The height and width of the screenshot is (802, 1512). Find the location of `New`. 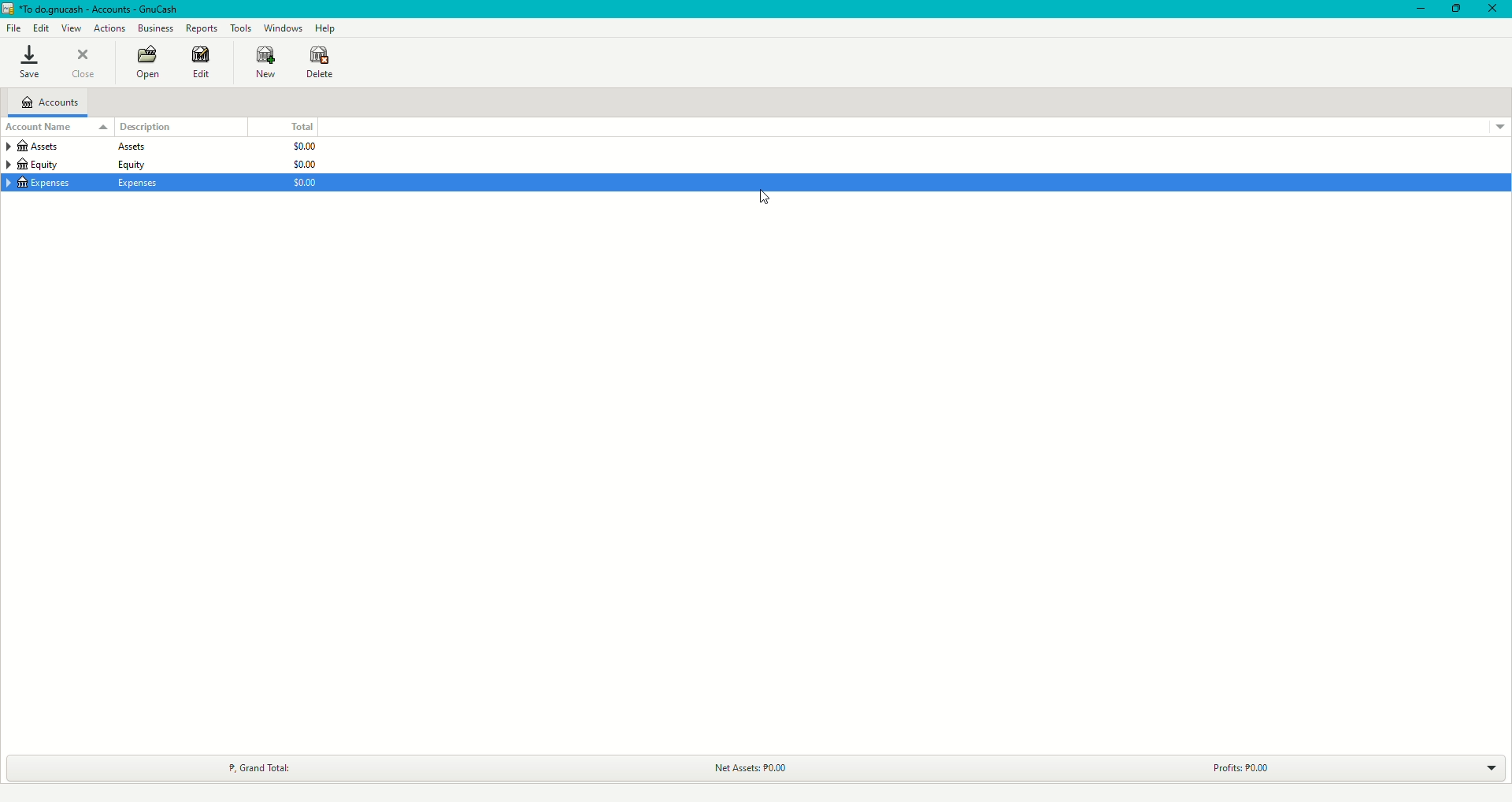

New is located at coordinates (267, 62).